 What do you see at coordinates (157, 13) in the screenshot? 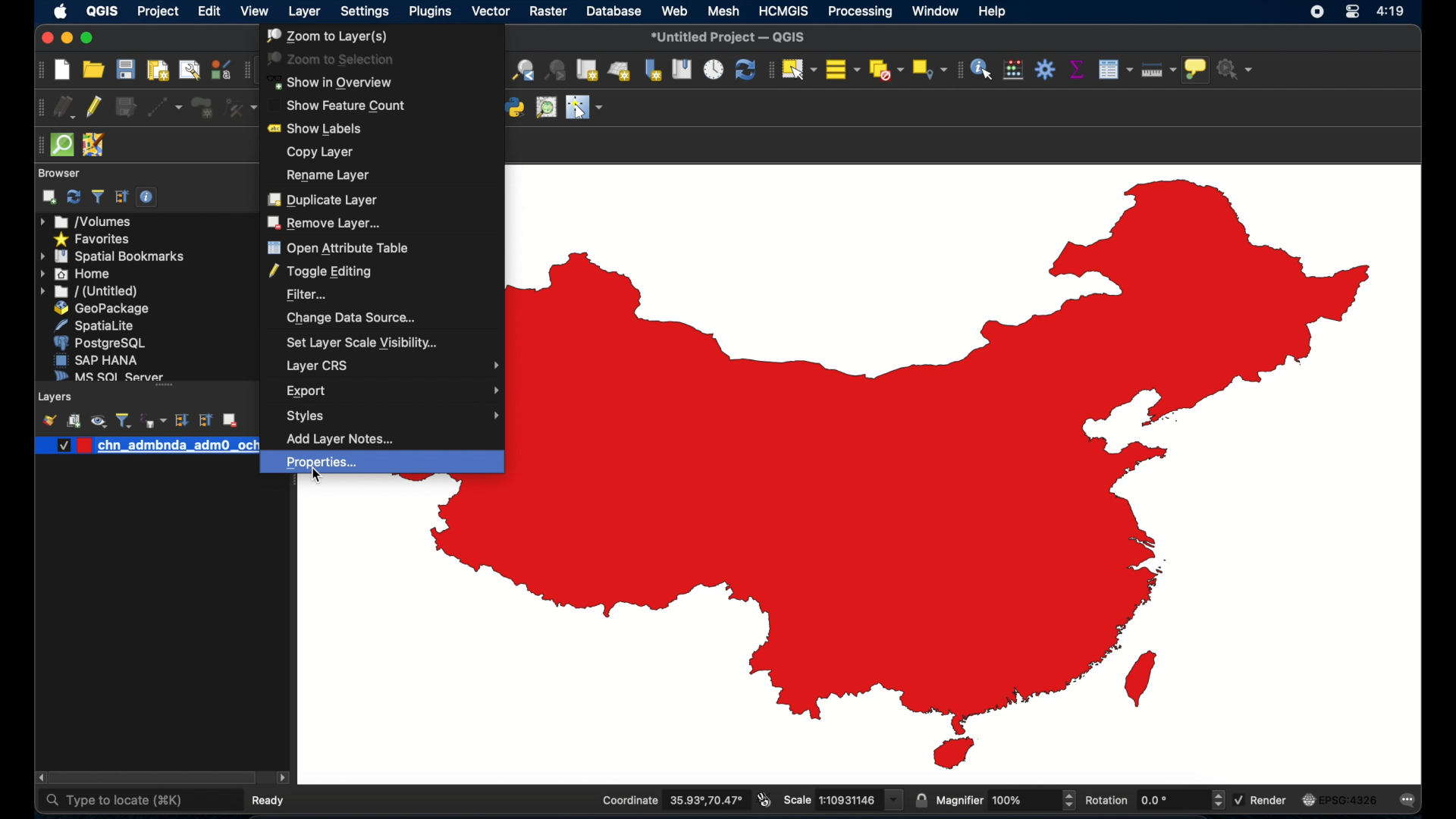
I see `project` at bounding box center [157, 13].